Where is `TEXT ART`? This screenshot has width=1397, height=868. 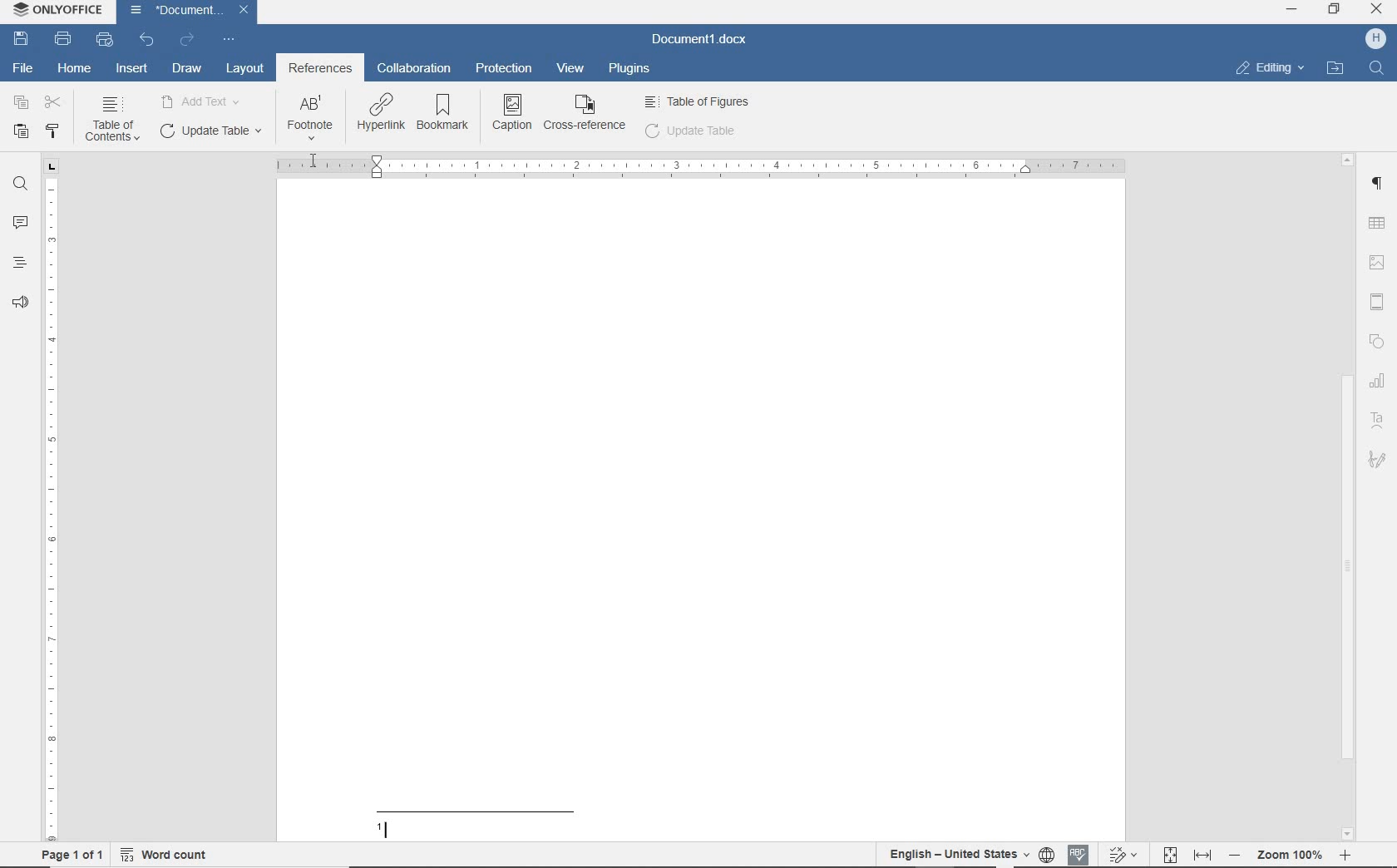
TEXT ART is located at coordinates (1379, 421).